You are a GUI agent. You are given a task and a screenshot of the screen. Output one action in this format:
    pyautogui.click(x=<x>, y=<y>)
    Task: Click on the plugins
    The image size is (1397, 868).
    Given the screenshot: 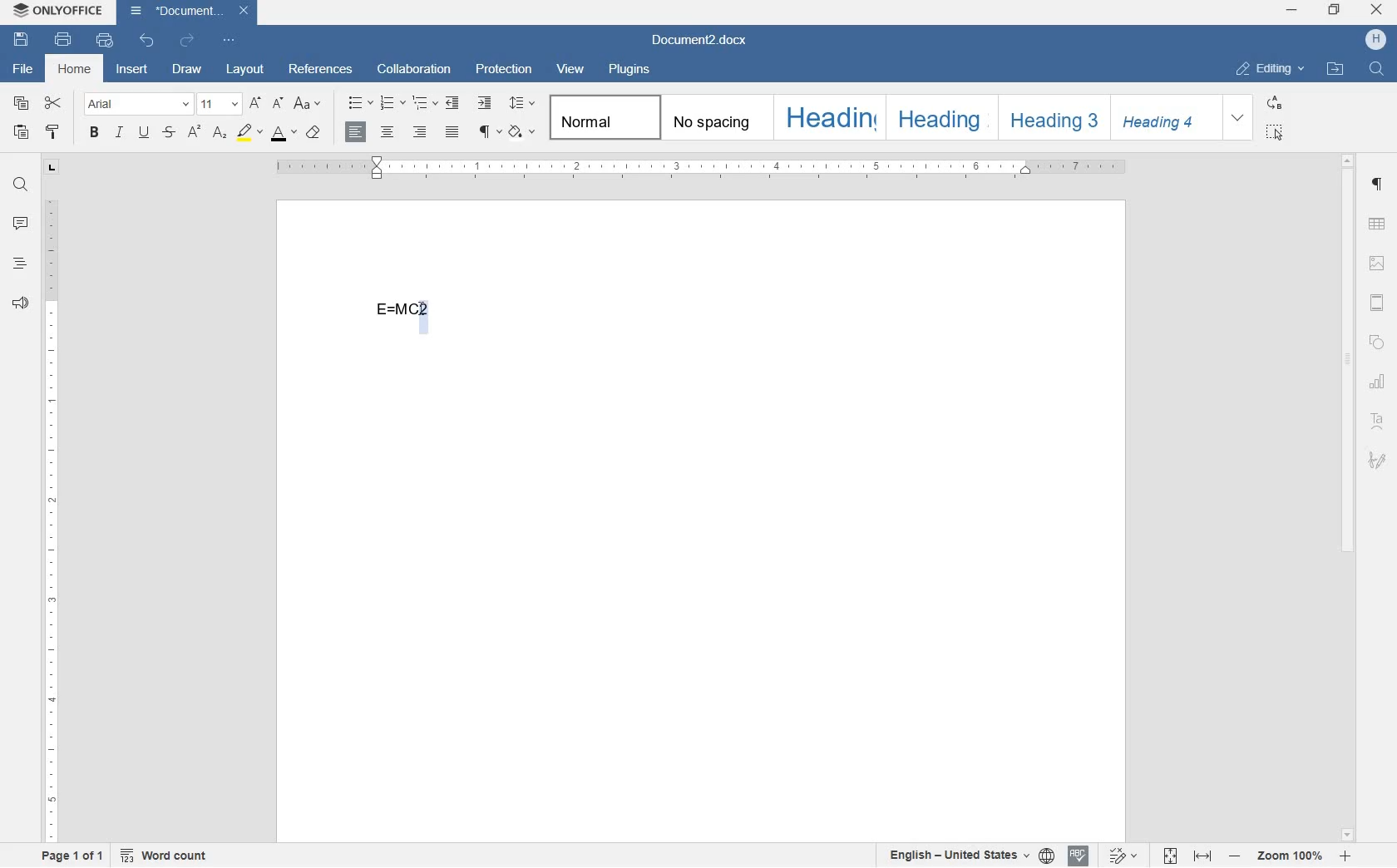 What is the action you would take?
    pyautogui.click(x=633, y=70)
    